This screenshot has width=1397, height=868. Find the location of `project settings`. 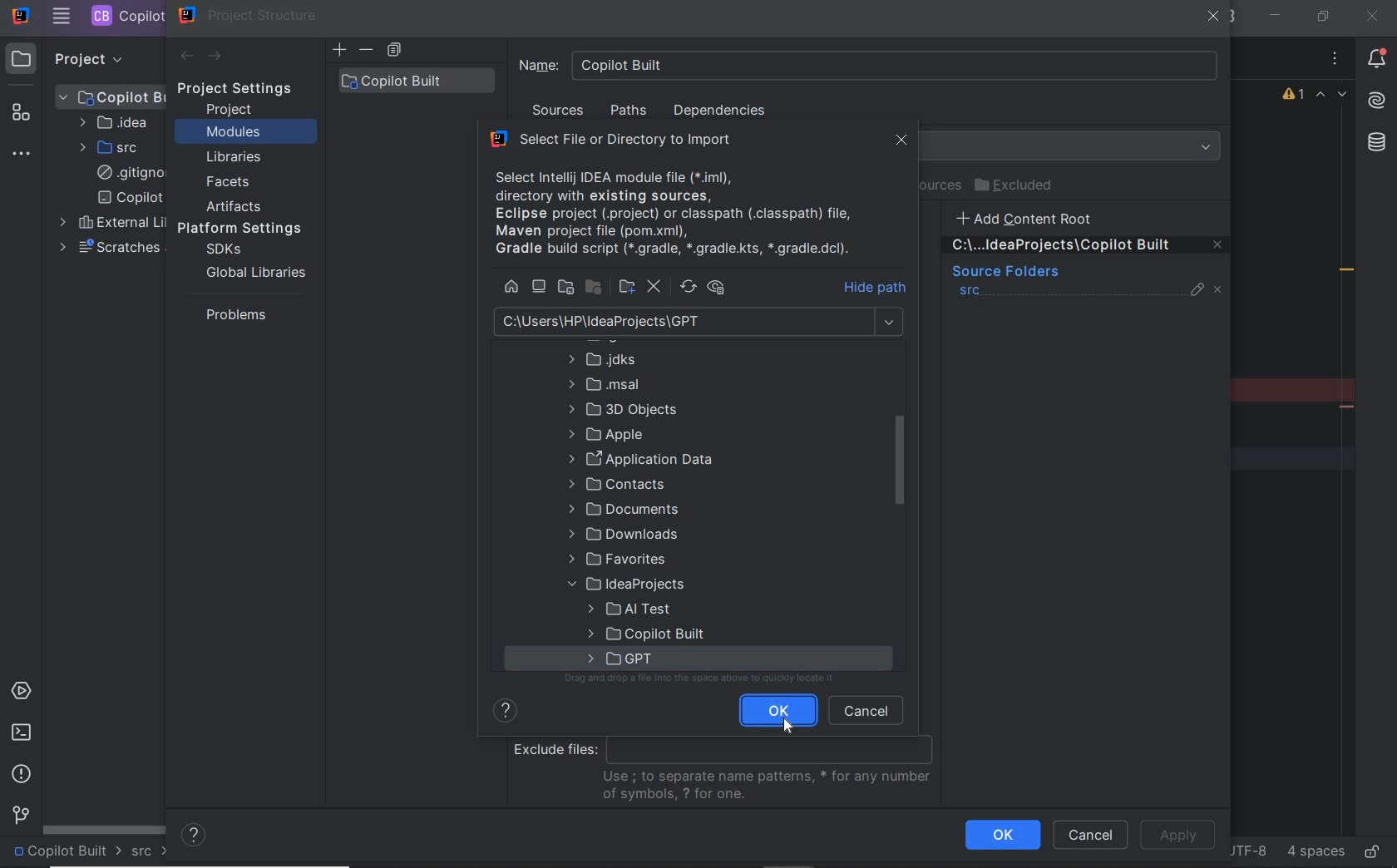

project settings is located at coordinates (246, 89).